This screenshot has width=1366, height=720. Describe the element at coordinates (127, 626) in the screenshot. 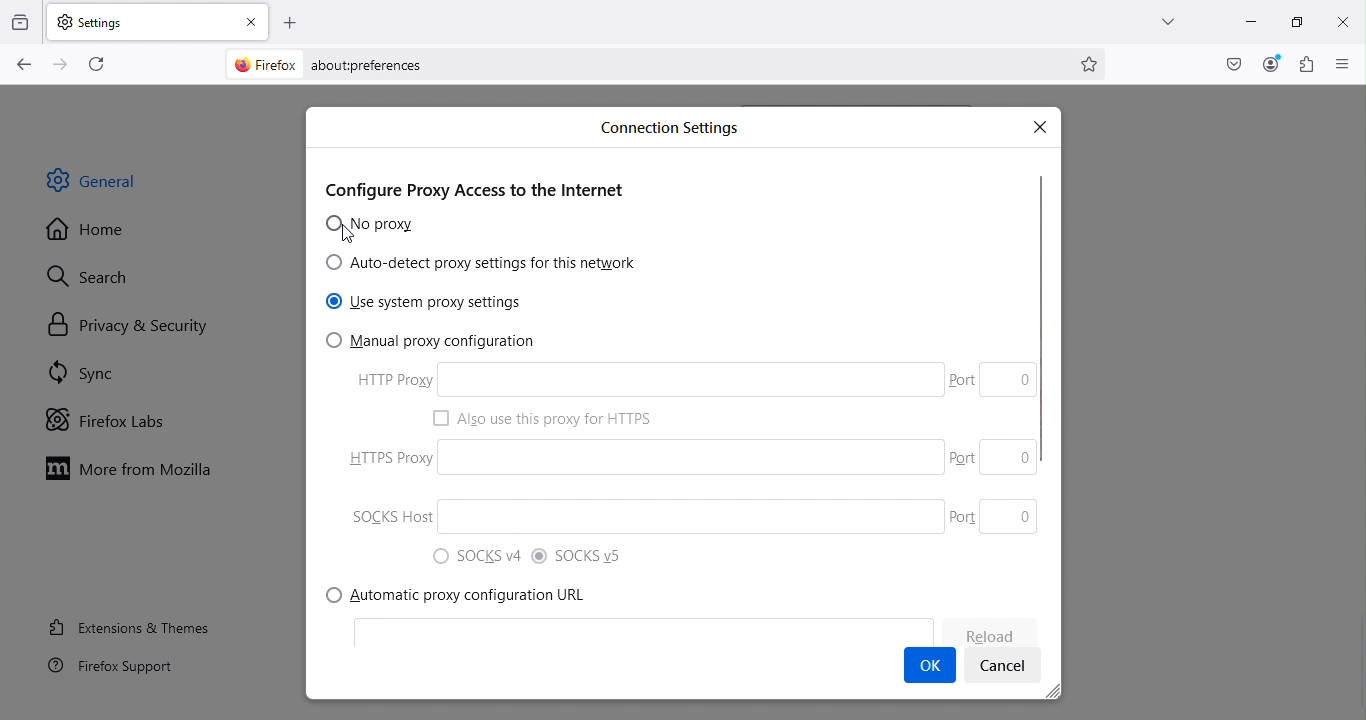

I see `Extensions and themes` at that location.